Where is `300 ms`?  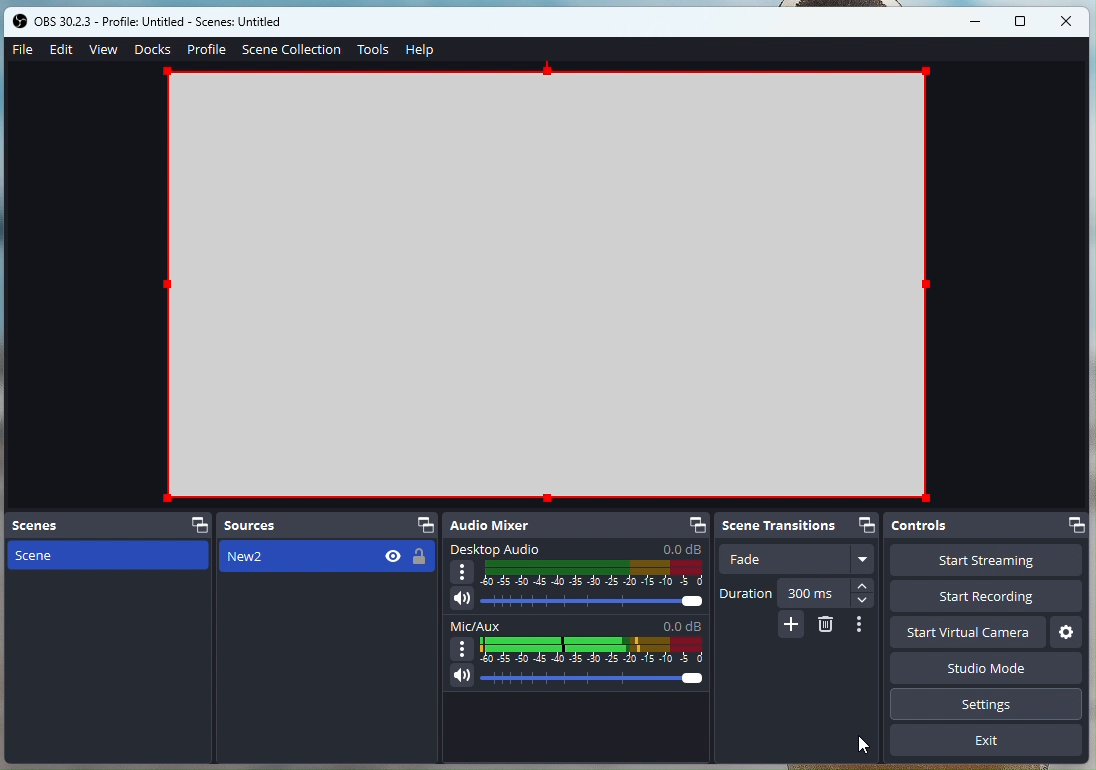 300 ms is located at coordinates (808, 592).